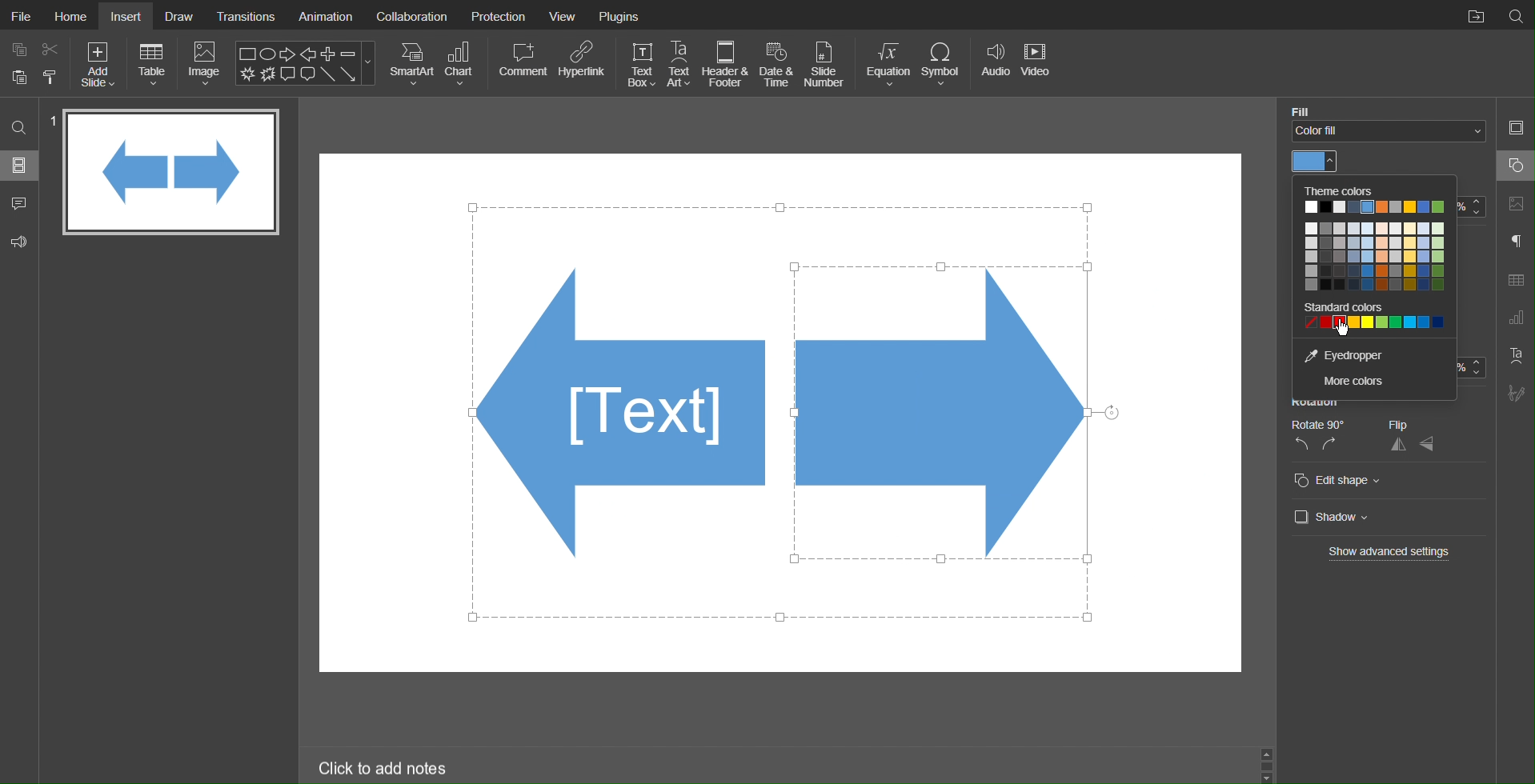  I want to click on Rotate 90, so click(1314, 426).